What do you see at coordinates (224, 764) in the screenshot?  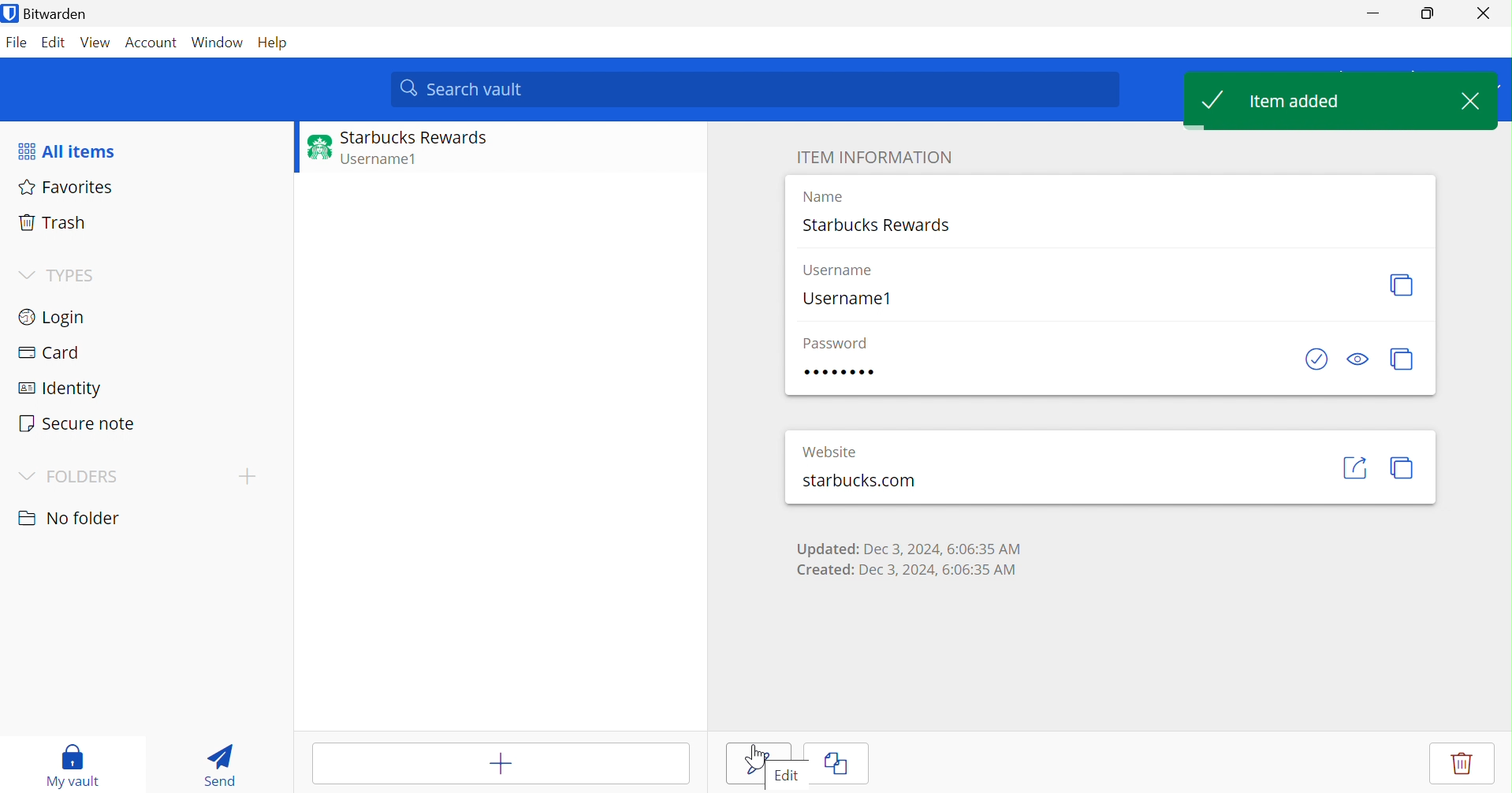 I see `Send` at bounding box center [224, 764].